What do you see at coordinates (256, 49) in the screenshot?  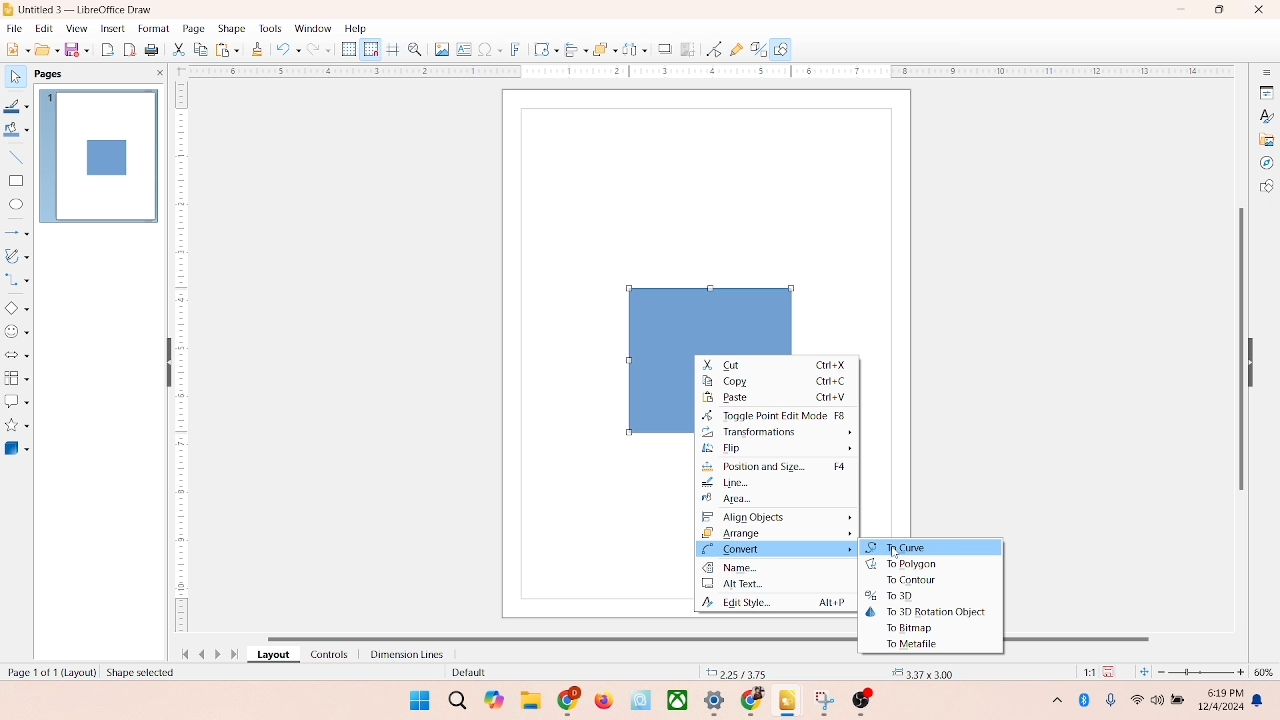 I see `clone formatting` at bounding box center [256, 49].